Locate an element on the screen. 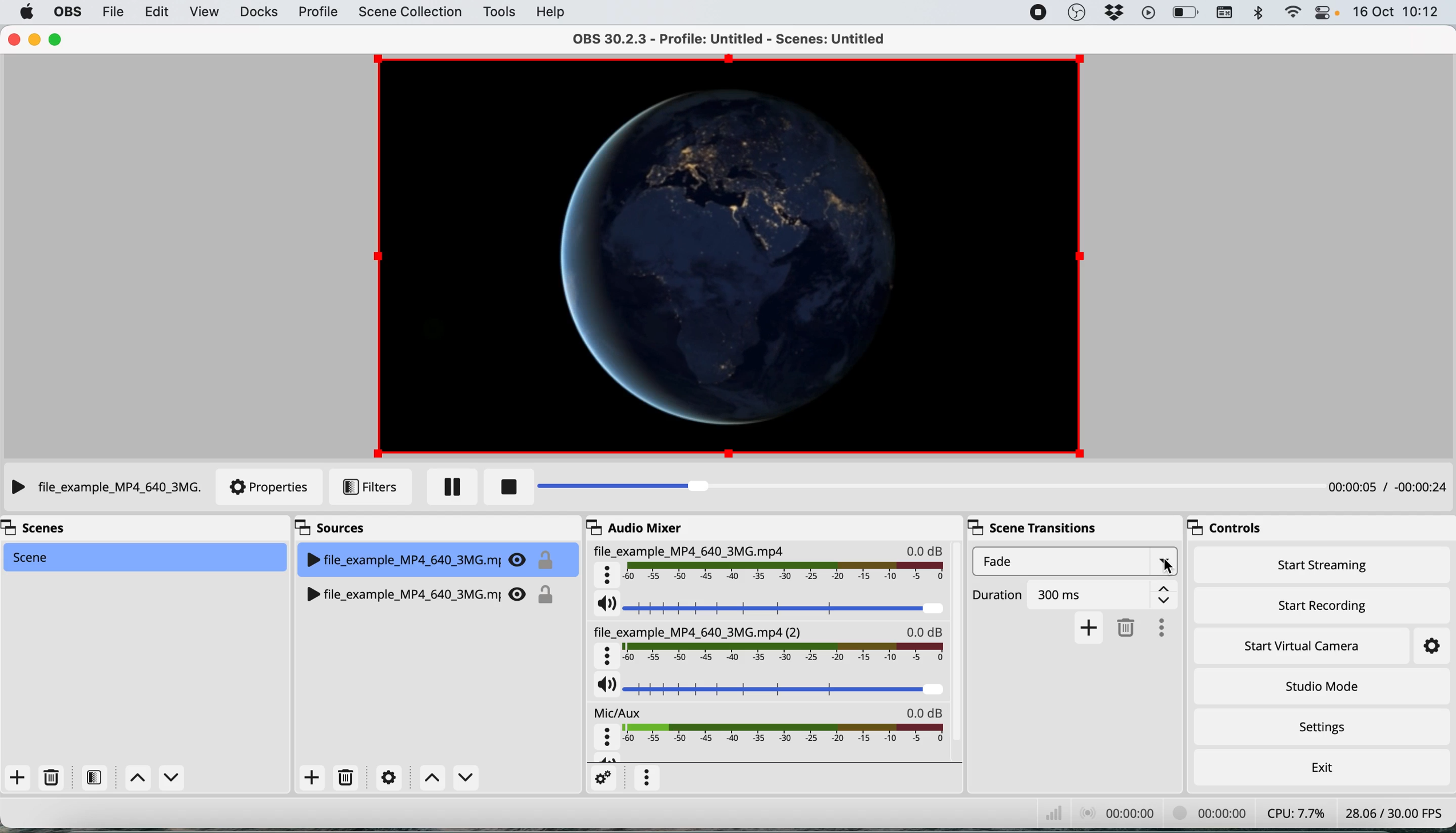 The image size is (1456, 833). start virtual camera is located at coordinates (1305, 646).